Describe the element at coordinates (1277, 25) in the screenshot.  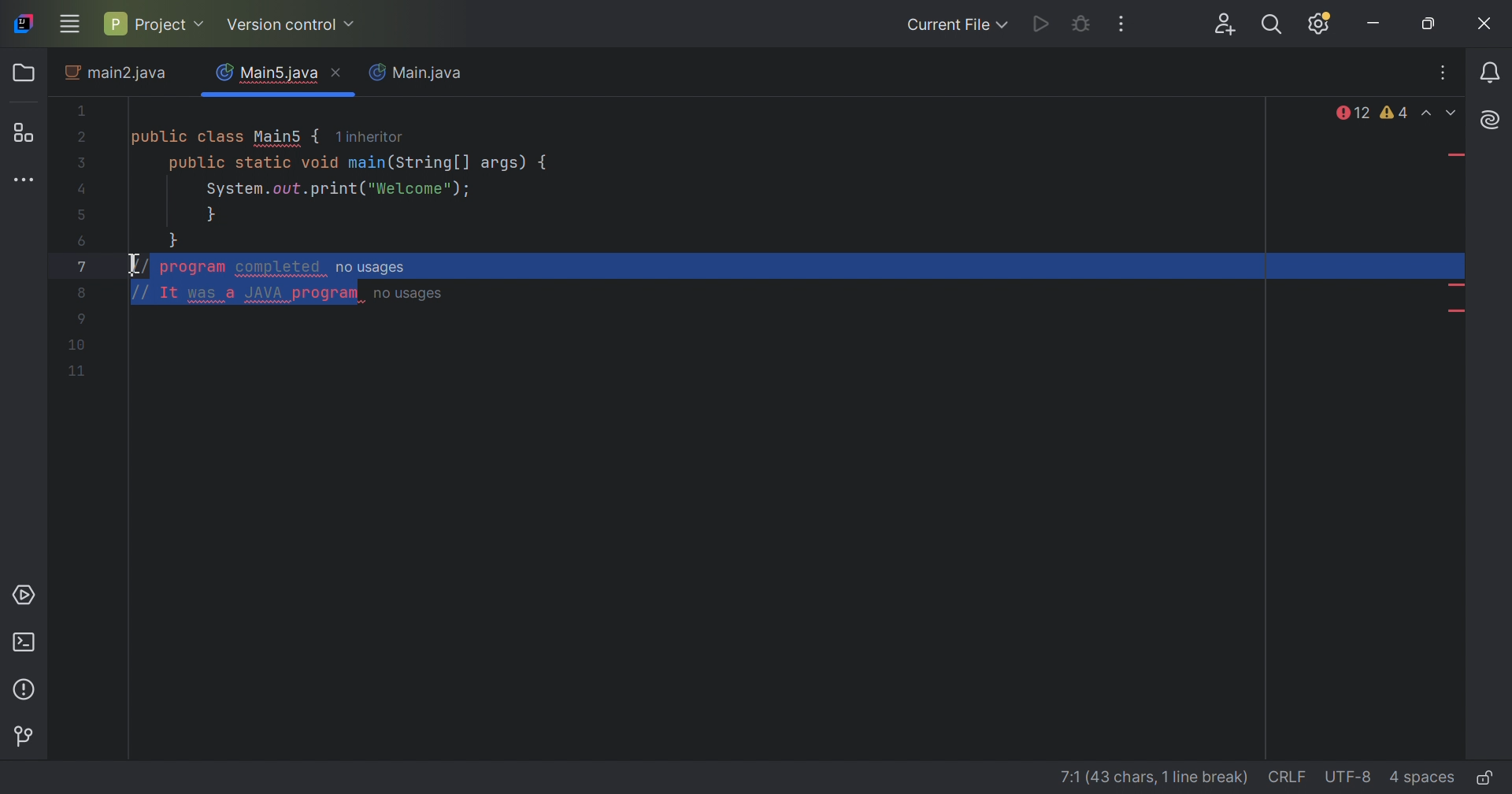
I see `Search` at that location.